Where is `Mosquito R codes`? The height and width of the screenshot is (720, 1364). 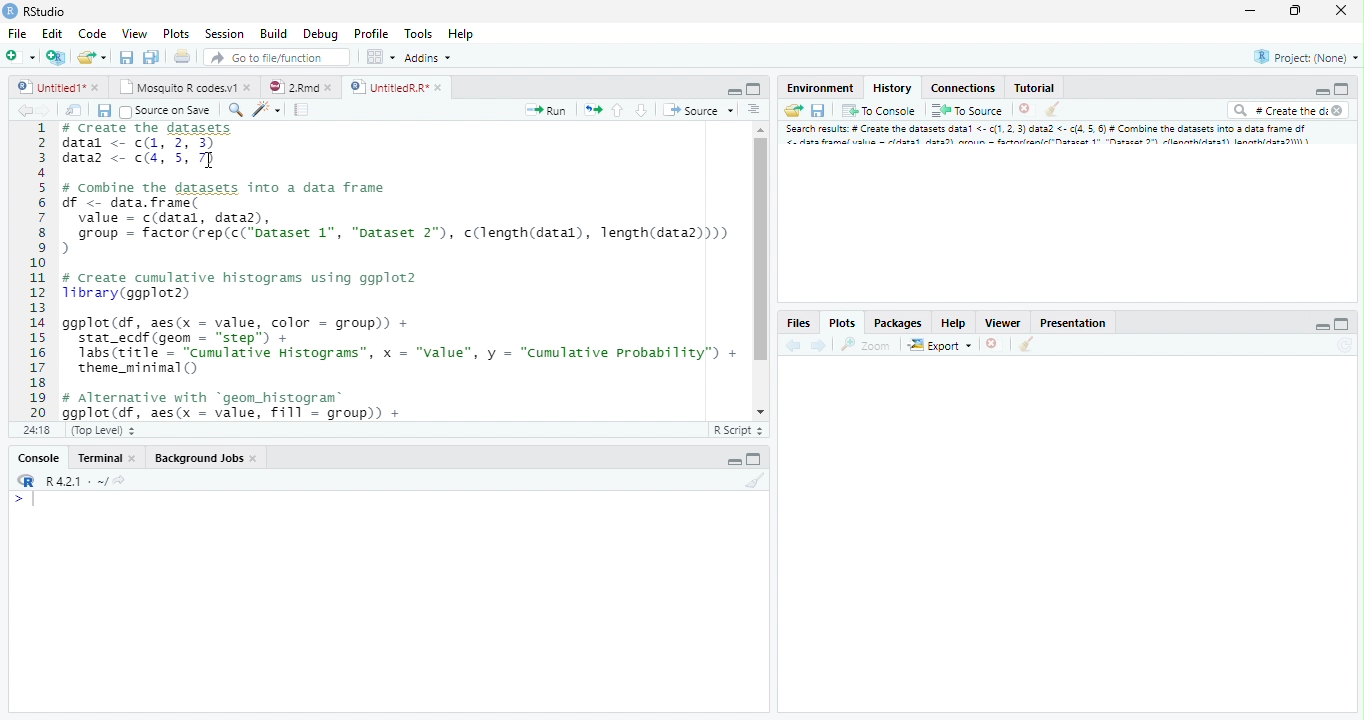
Mosquito R codes is located at coordinates (188, 87).